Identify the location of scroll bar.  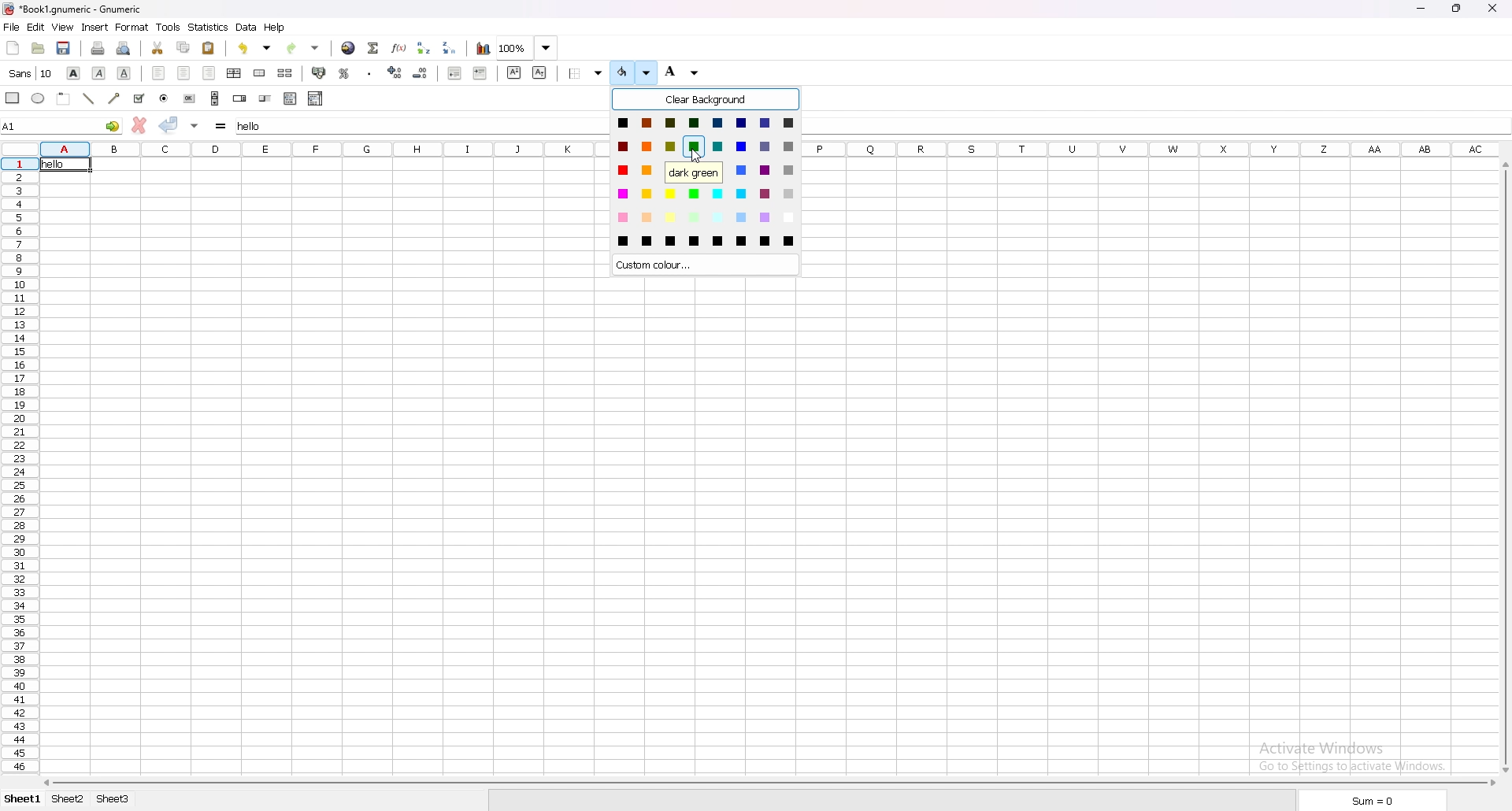
(1506, 468).